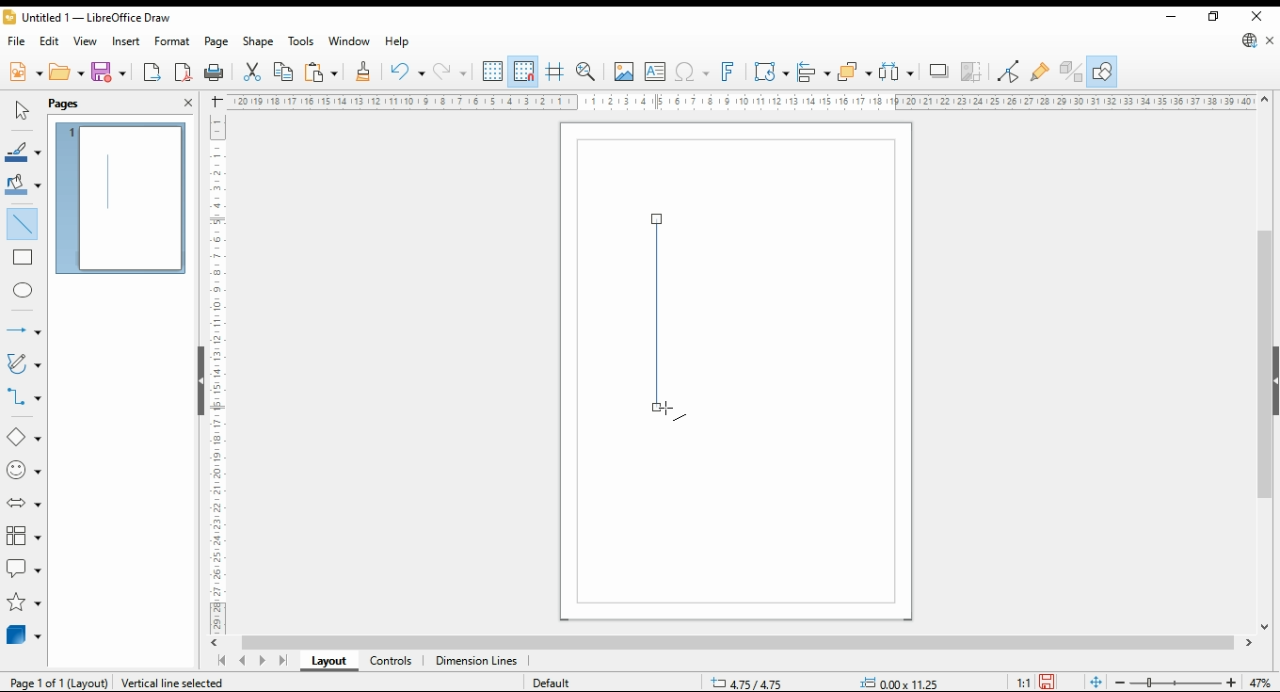  What do you see at coordinates (898, 72) in the screenshot?
I see `select at least three objects to distribute` at bounding box center [898, 72].